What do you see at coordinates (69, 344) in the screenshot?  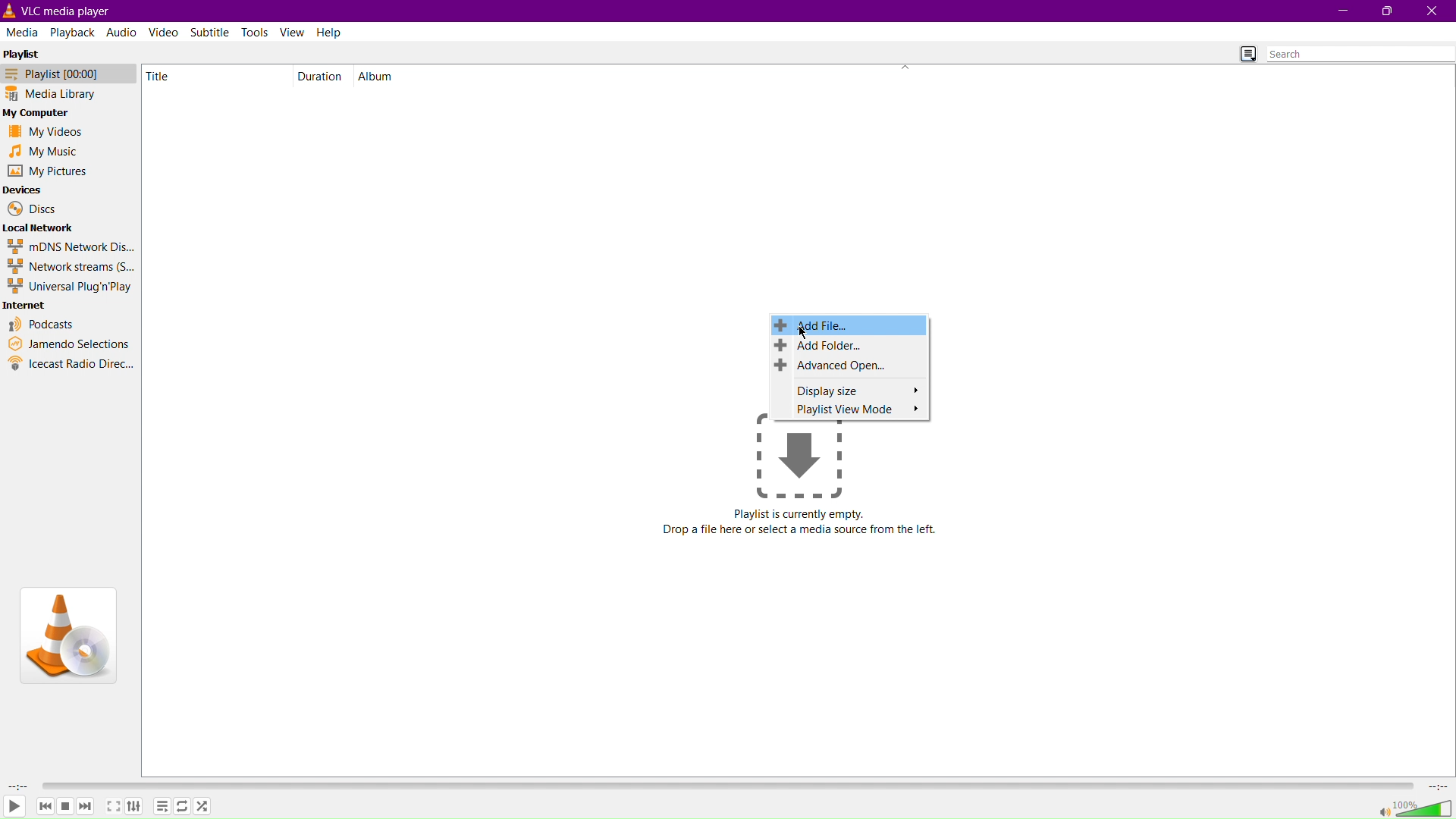 I see `Jamendo Selections` at bounding box center [69, 344].